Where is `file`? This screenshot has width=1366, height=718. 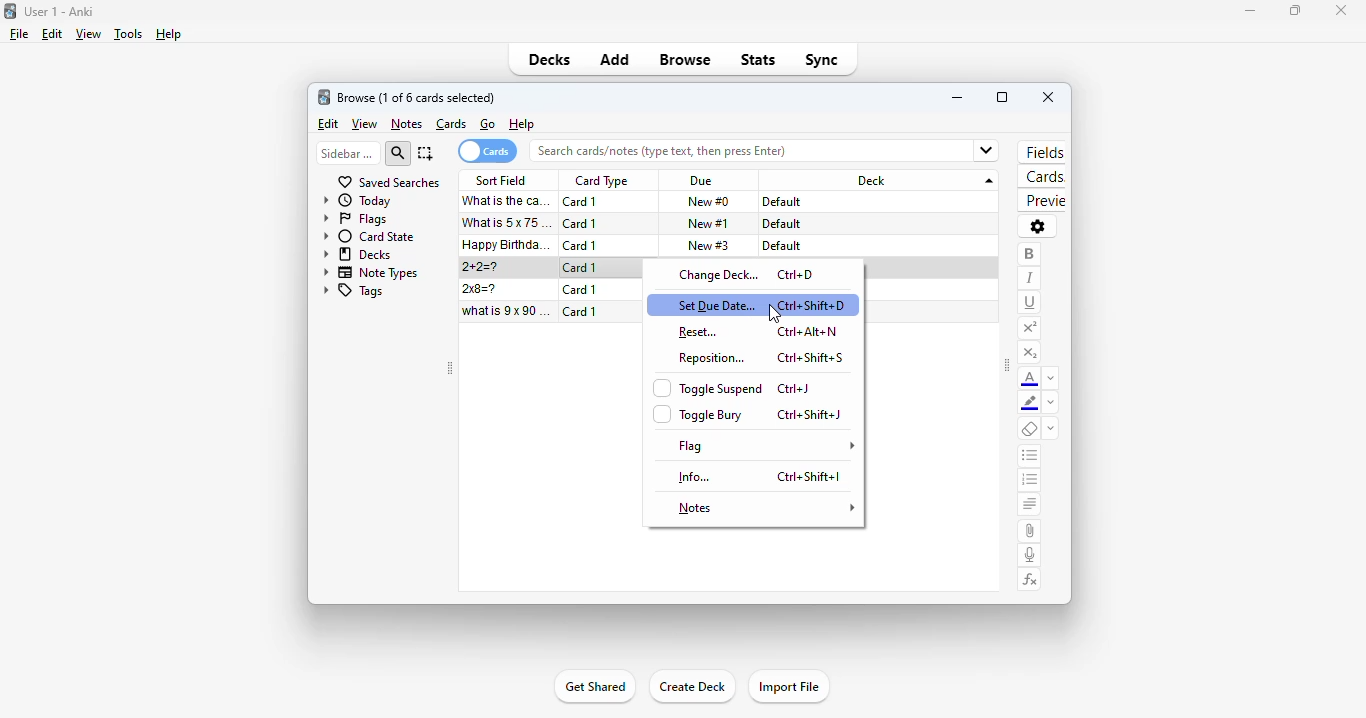 file is located at coordinates (19, 34).